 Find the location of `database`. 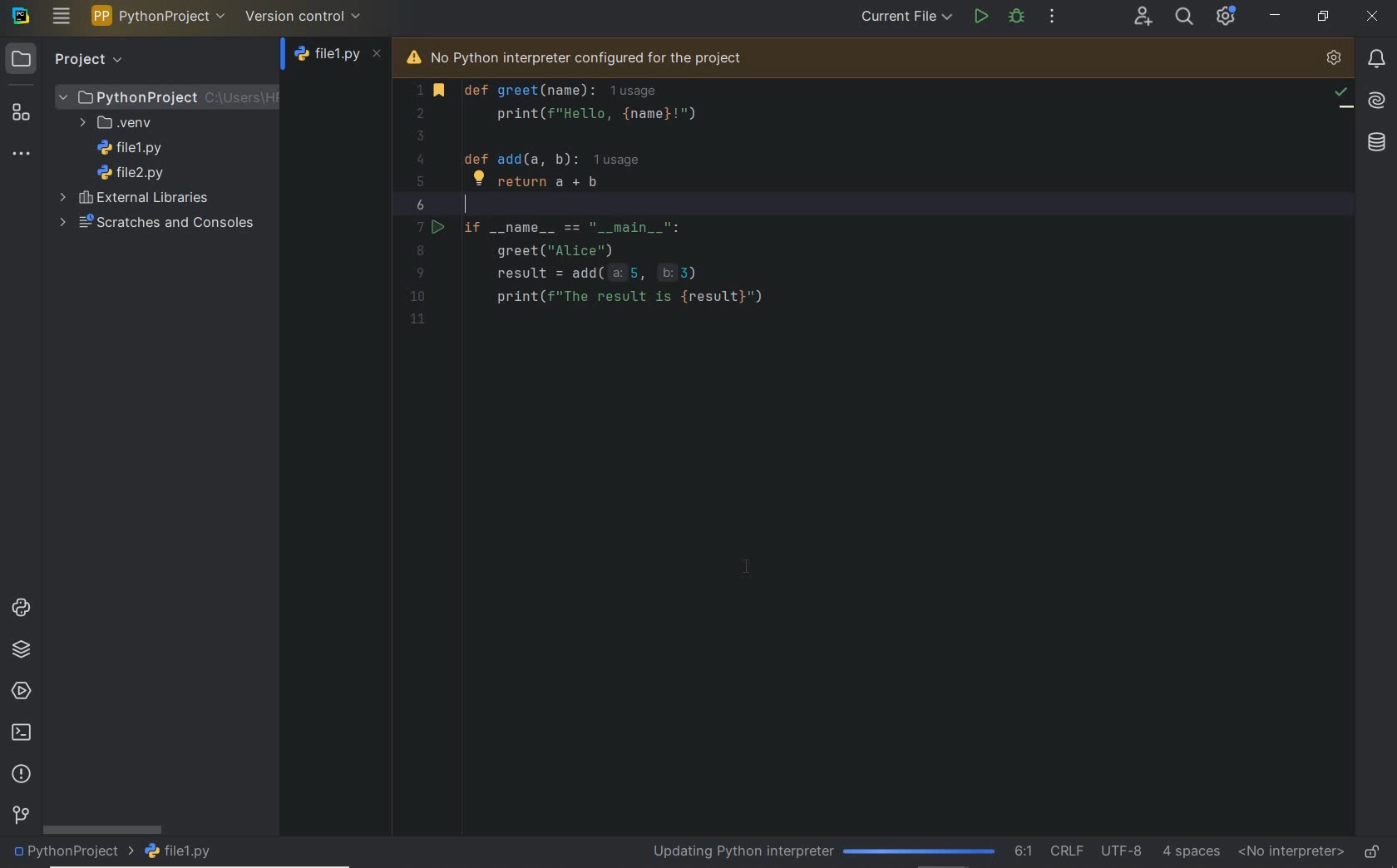

database is located at coordinates (1370, 143).